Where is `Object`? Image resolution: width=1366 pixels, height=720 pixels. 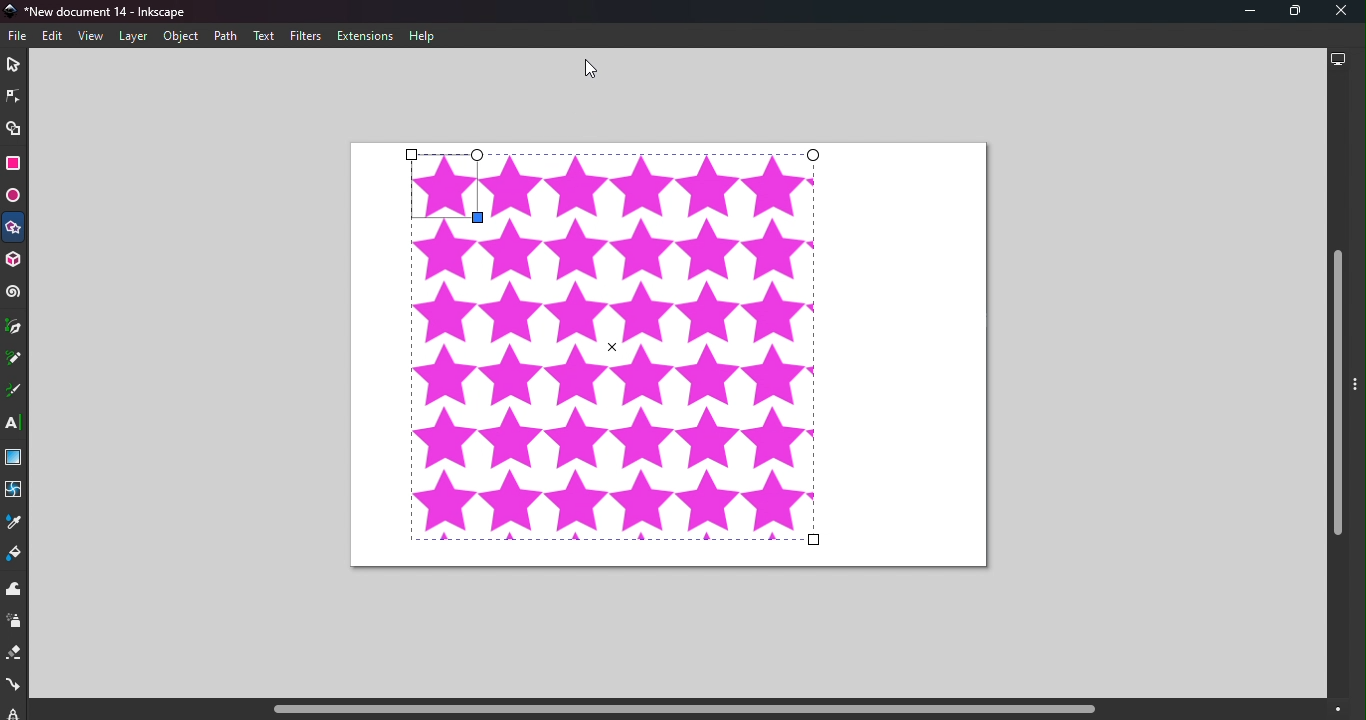
Object is located at coordinates (180, 37).